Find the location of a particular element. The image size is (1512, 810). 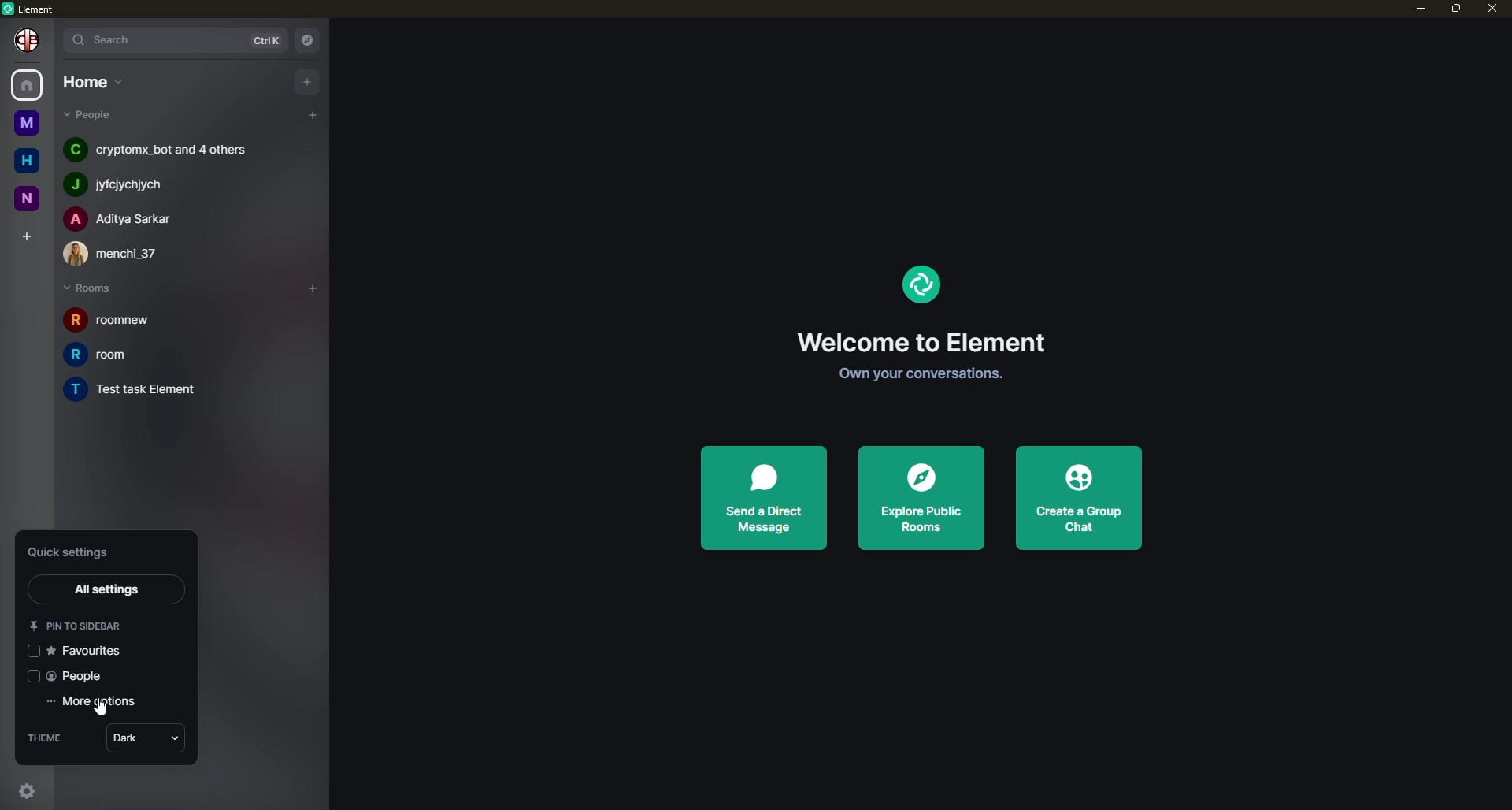

people is located at coordinates (124, 184).